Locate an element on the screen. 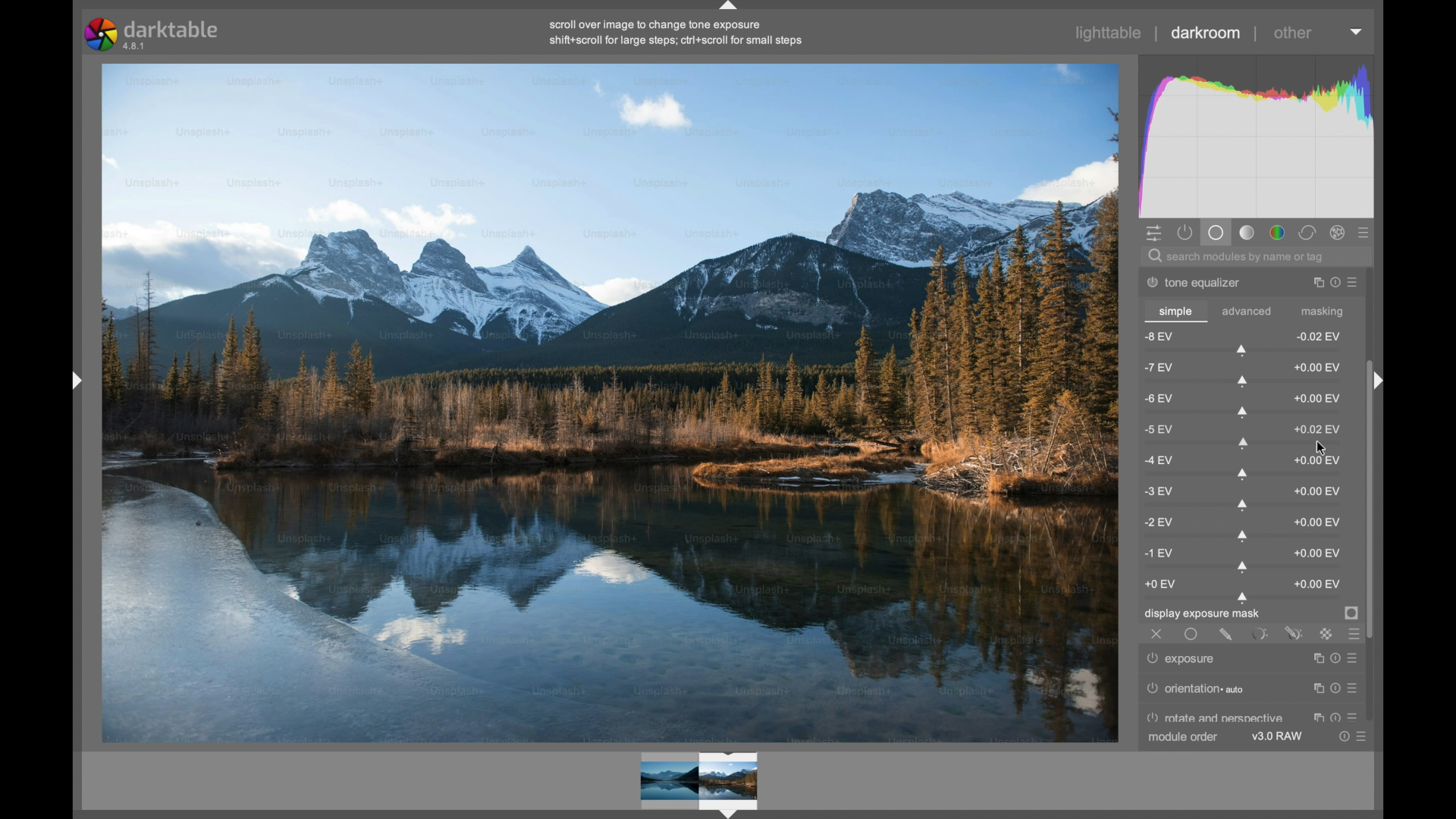 The height and width of the screenshot is (819, 1456). show active module is located at coordinates (1185, 233).